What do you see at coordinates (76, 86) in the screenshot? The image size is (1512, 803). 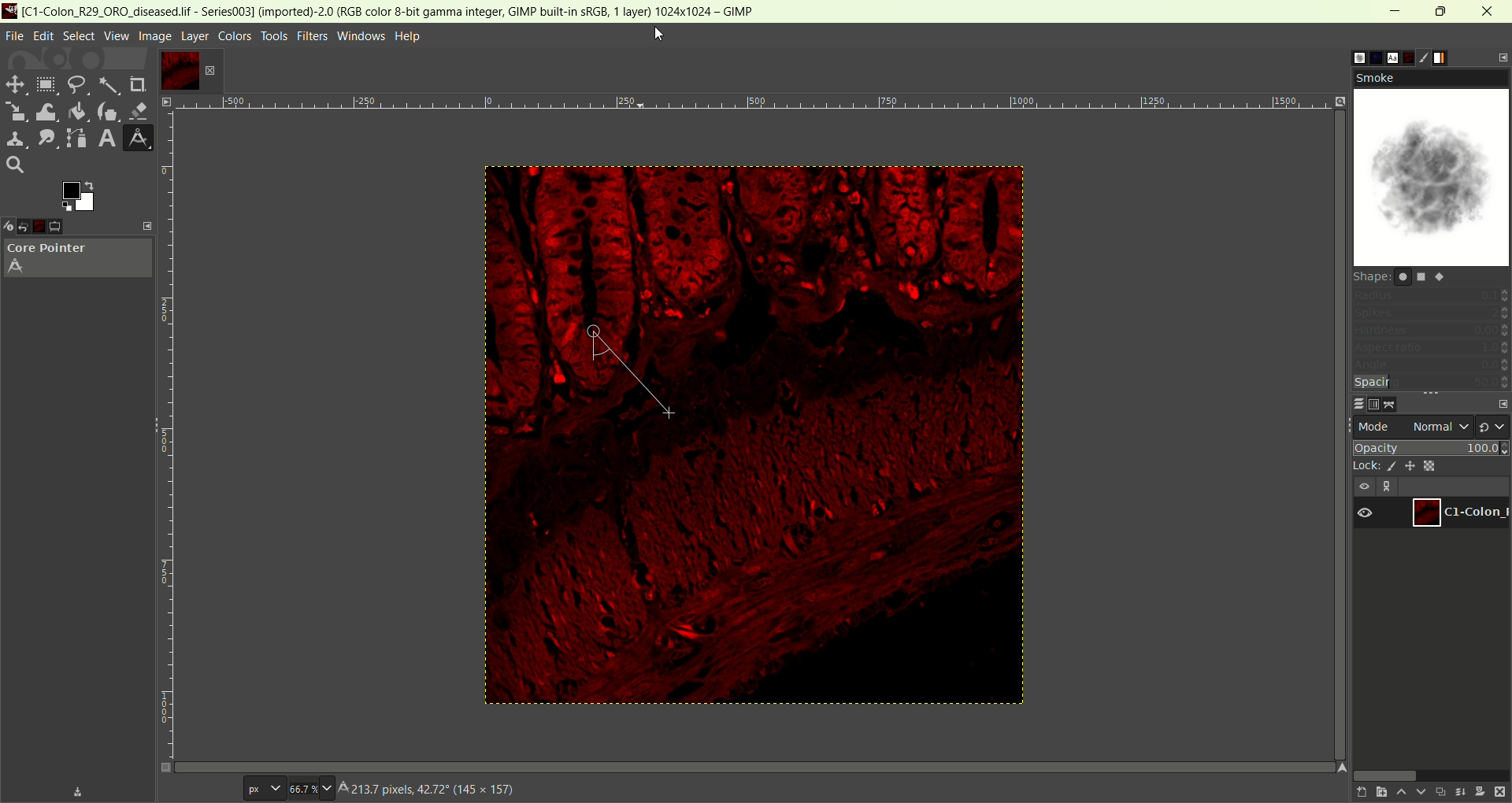 I see `free select tool` at bounding box center [76, 86].